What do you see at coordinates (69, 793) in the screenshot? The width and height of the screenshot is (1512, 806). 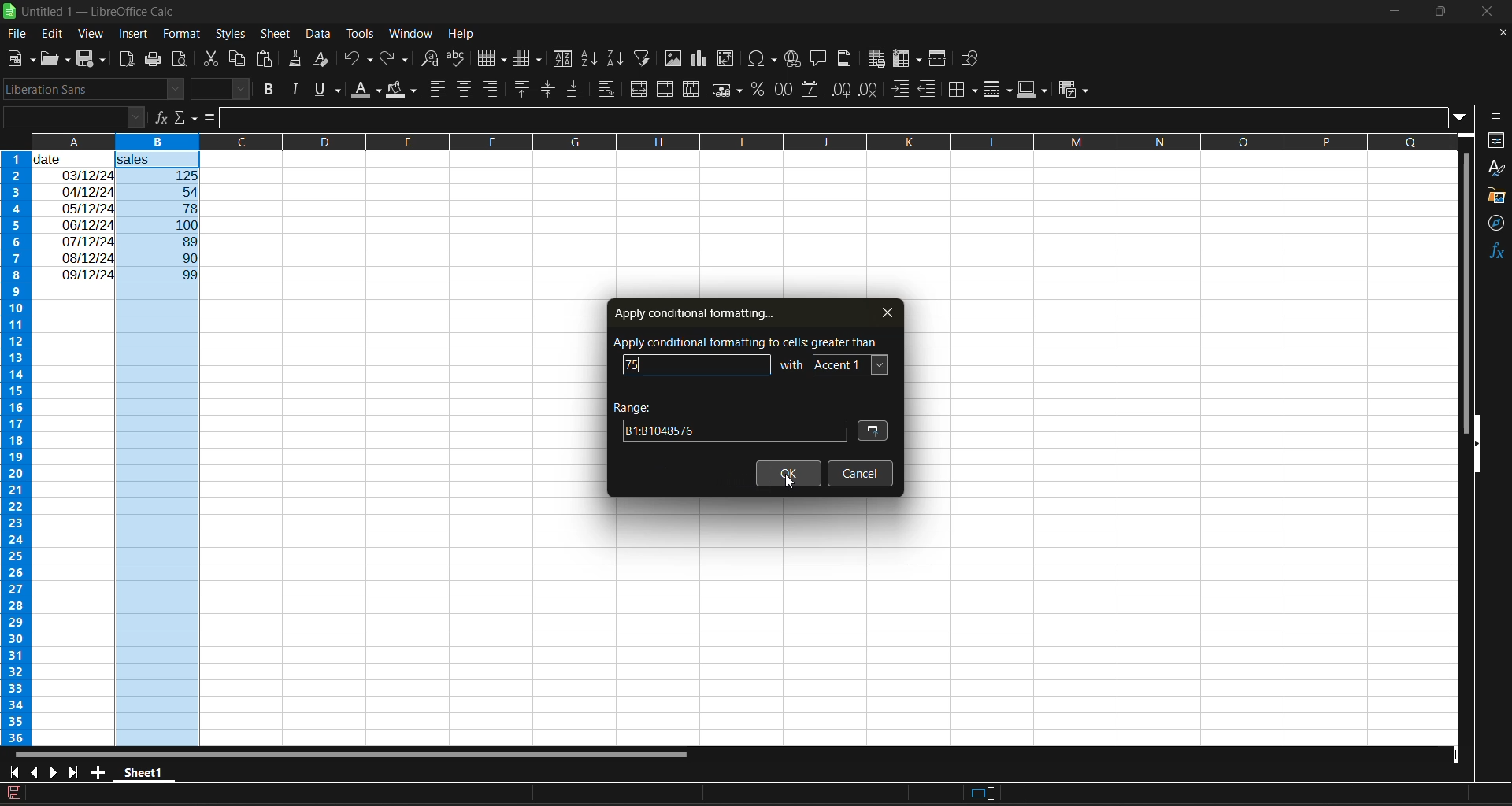 I see `sheet number` at bounding box center [69, 793].